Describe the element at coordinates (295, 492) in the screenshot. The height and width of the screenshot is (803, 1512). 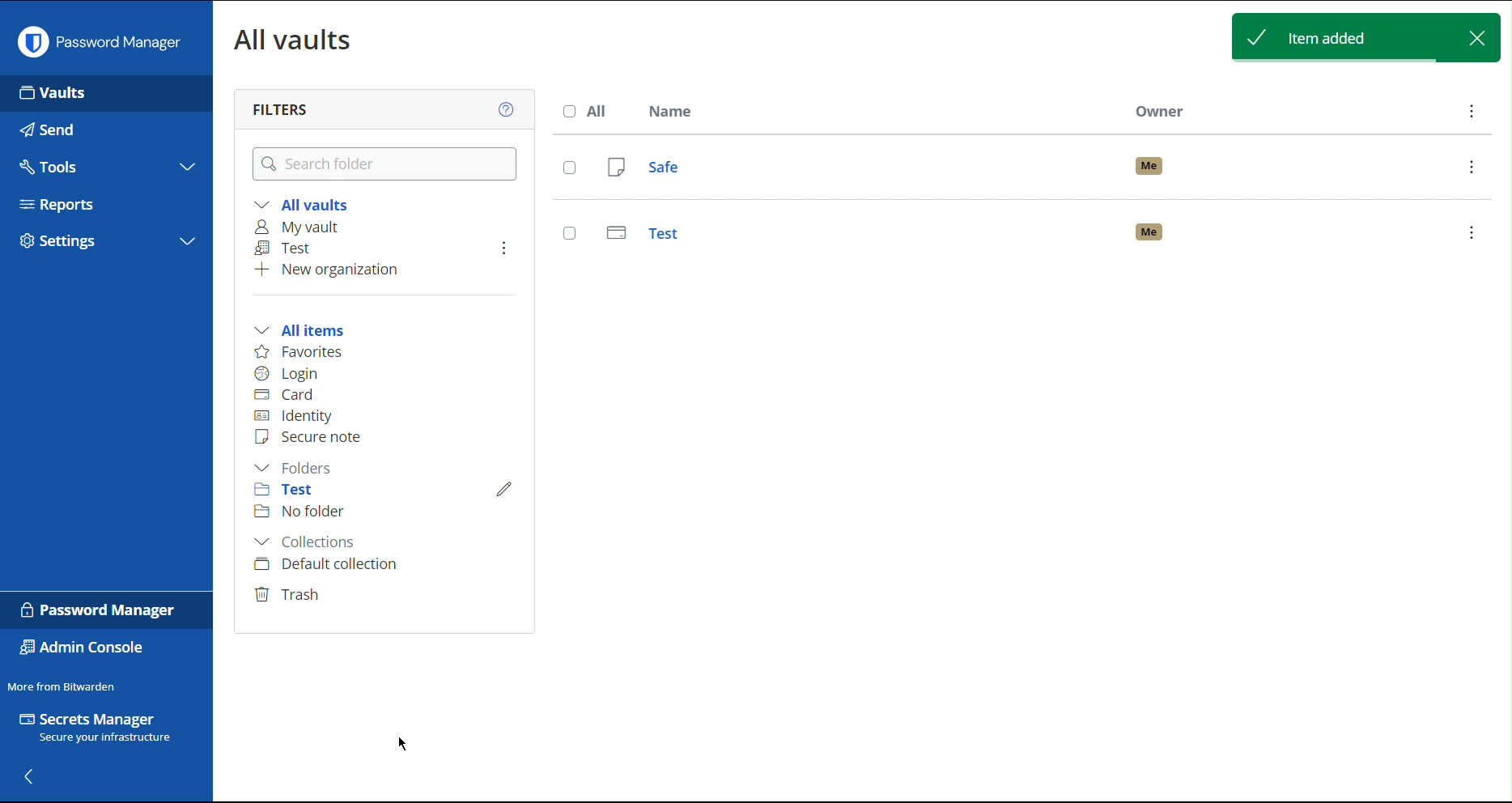
I see `Test` at that location.